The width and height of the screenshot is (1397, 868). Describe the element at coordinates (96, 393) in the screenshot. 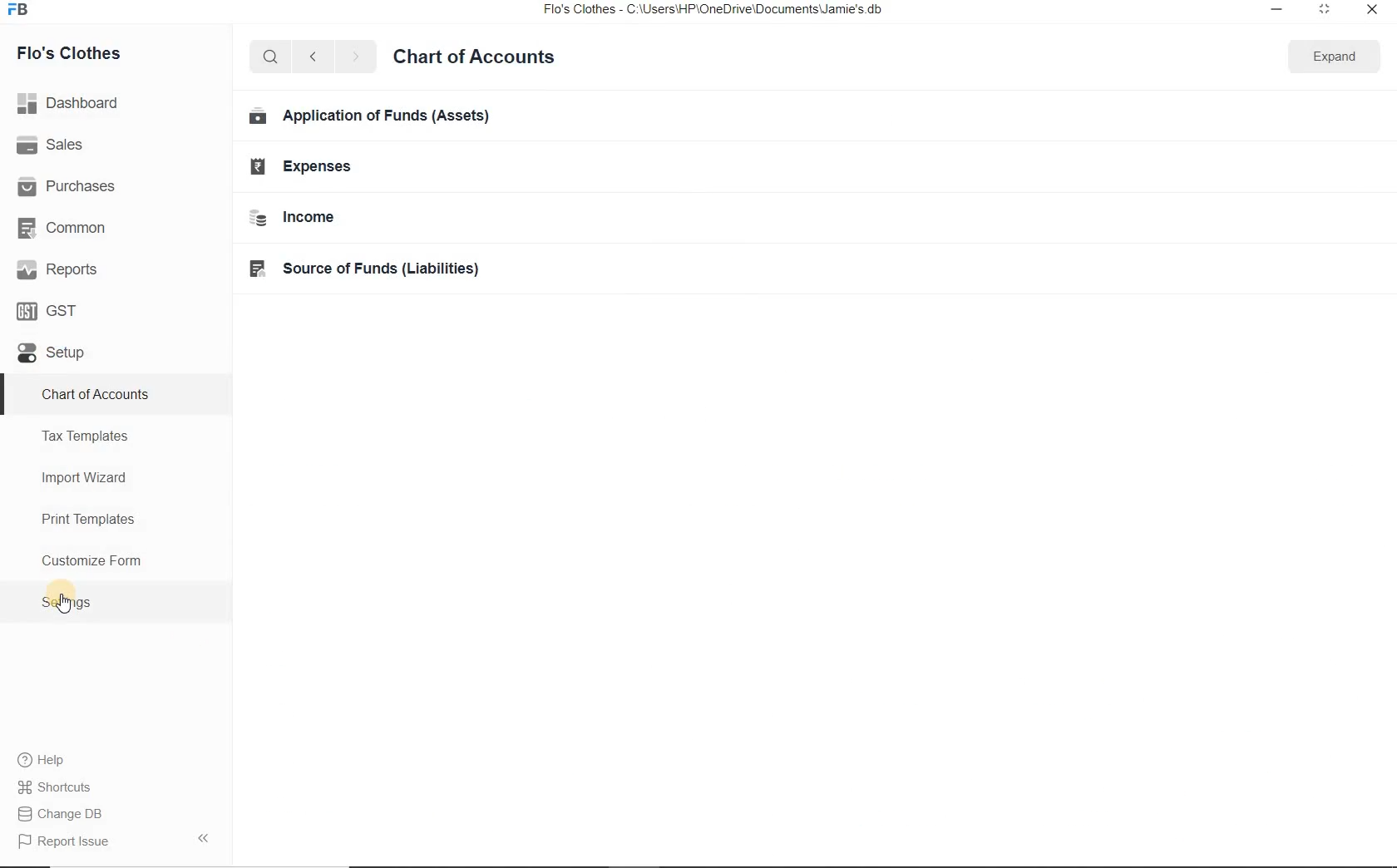

I see `Chart of Accounts` at that location.